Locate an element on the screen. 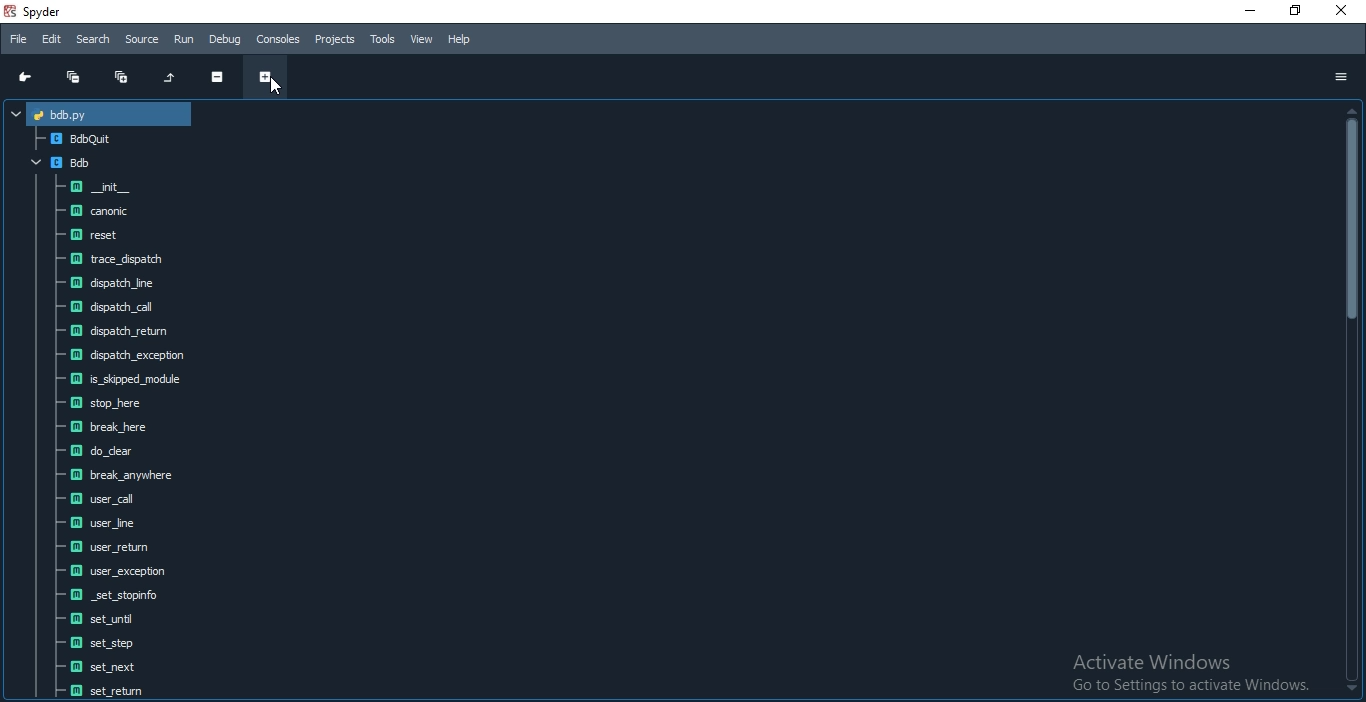  Projects is located at coordinates (336, 39).